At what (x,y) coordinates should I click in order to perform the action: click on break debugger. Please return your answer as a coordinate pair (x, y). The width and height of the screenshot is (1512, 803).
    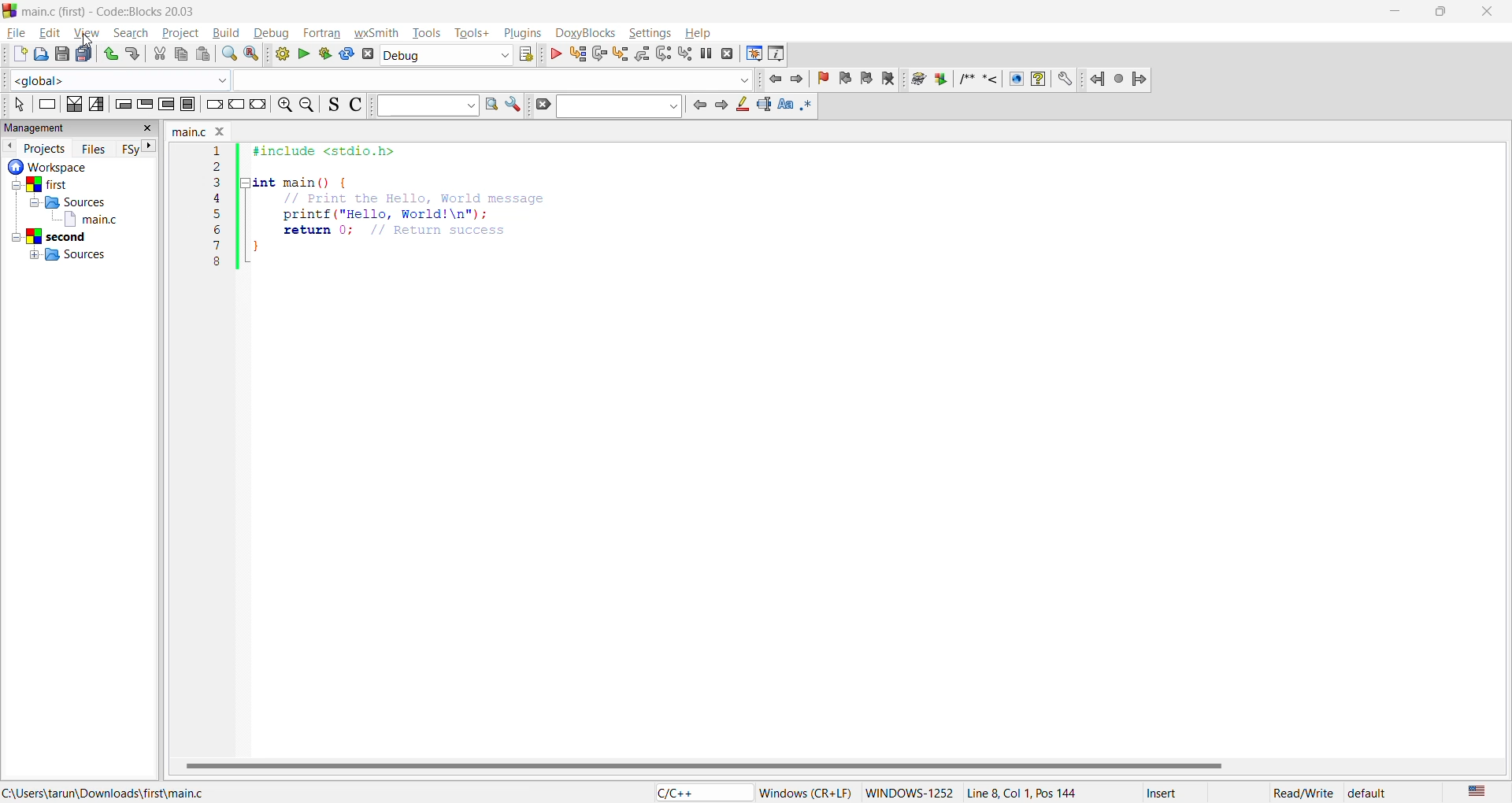
    Looking at the image, I should click on (709, 54).